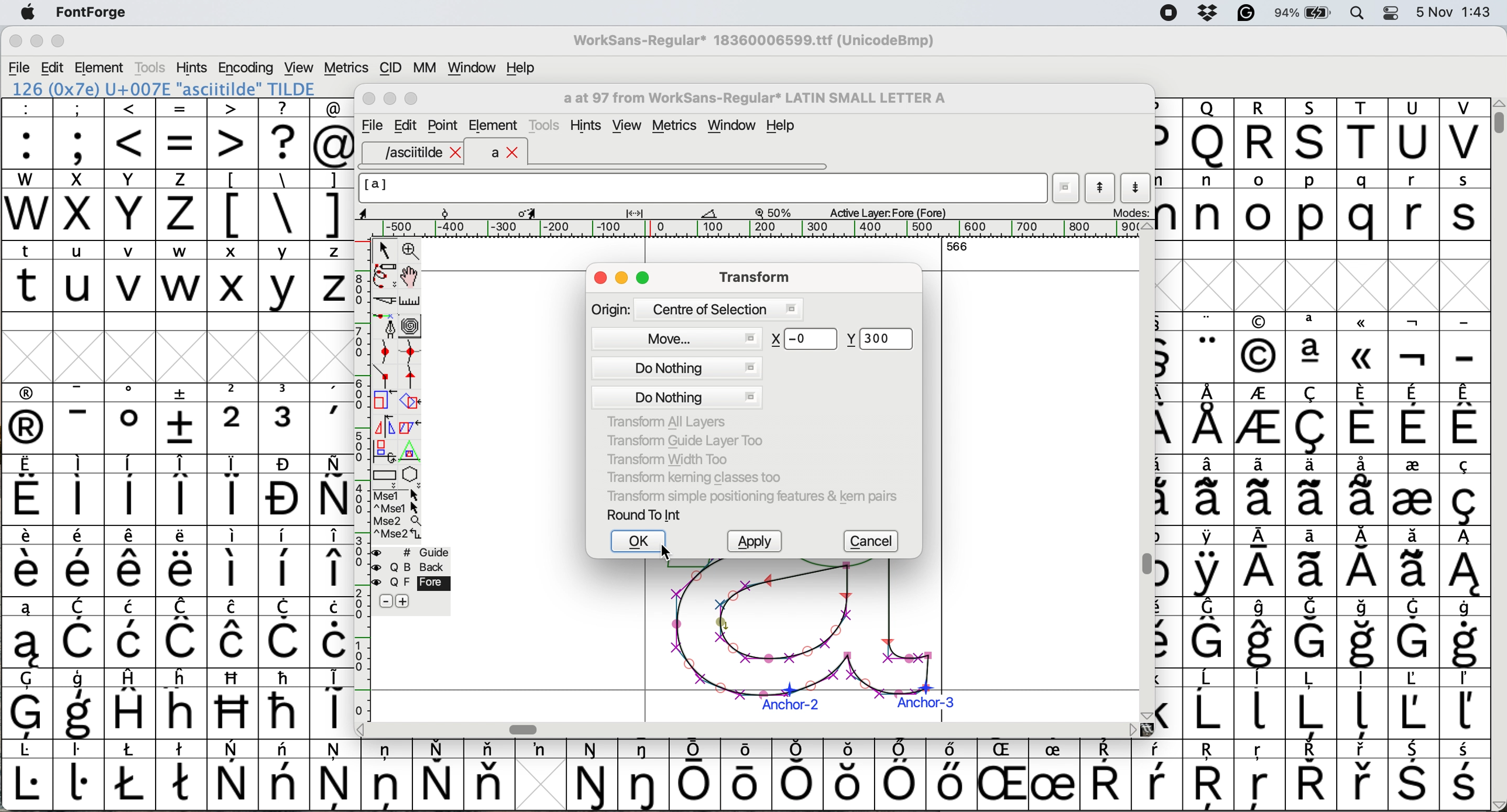 The image size is (1507, 812). What do you see at coordinates (1413, 419) in the screenshot?
I see `symbol` at bounding box center [1413, 419].